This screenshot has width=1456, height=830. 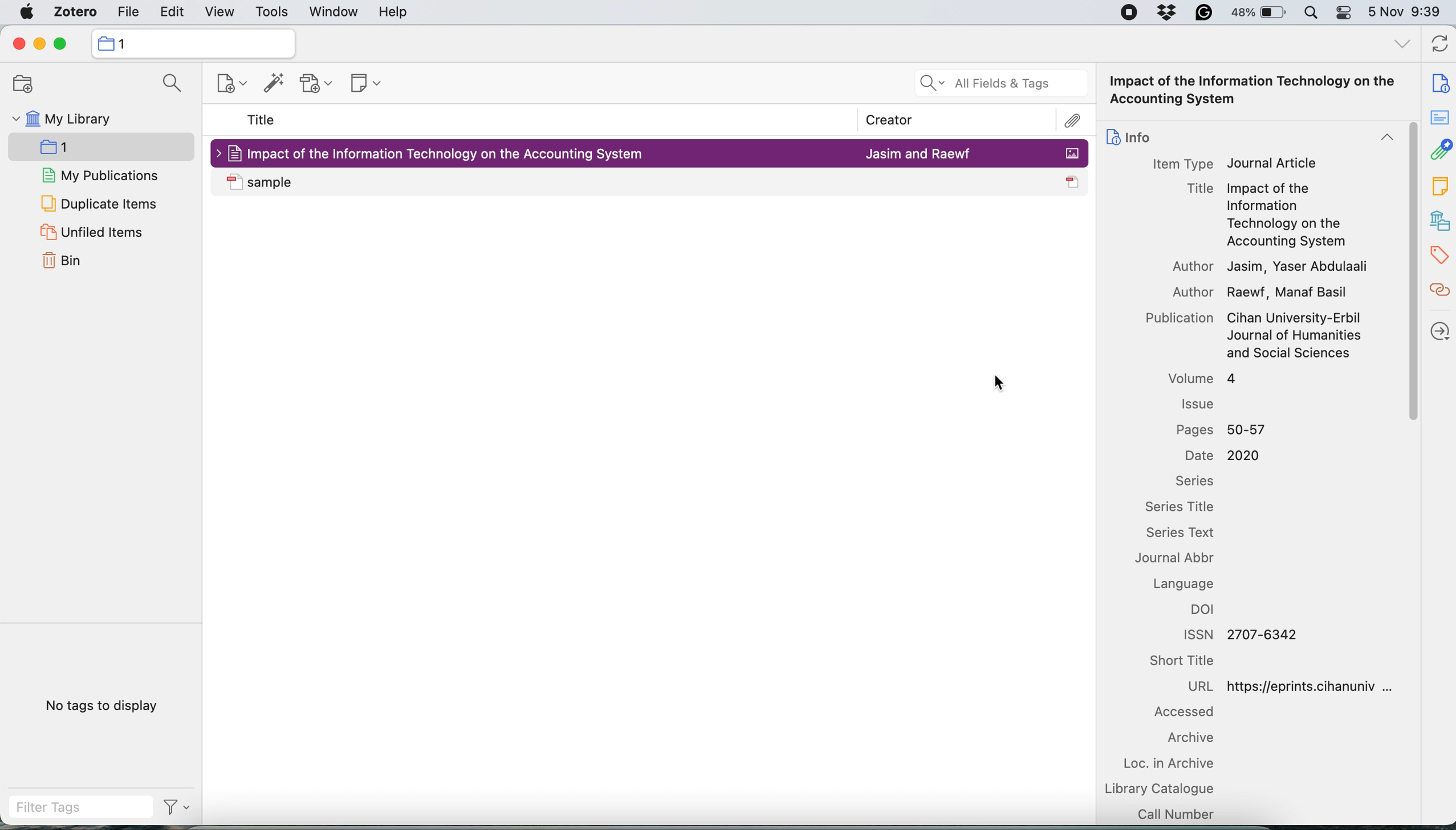 What do you see at coordinates (18, 46) in the screenshot?
I see `close` at bounding box center [18, 46].